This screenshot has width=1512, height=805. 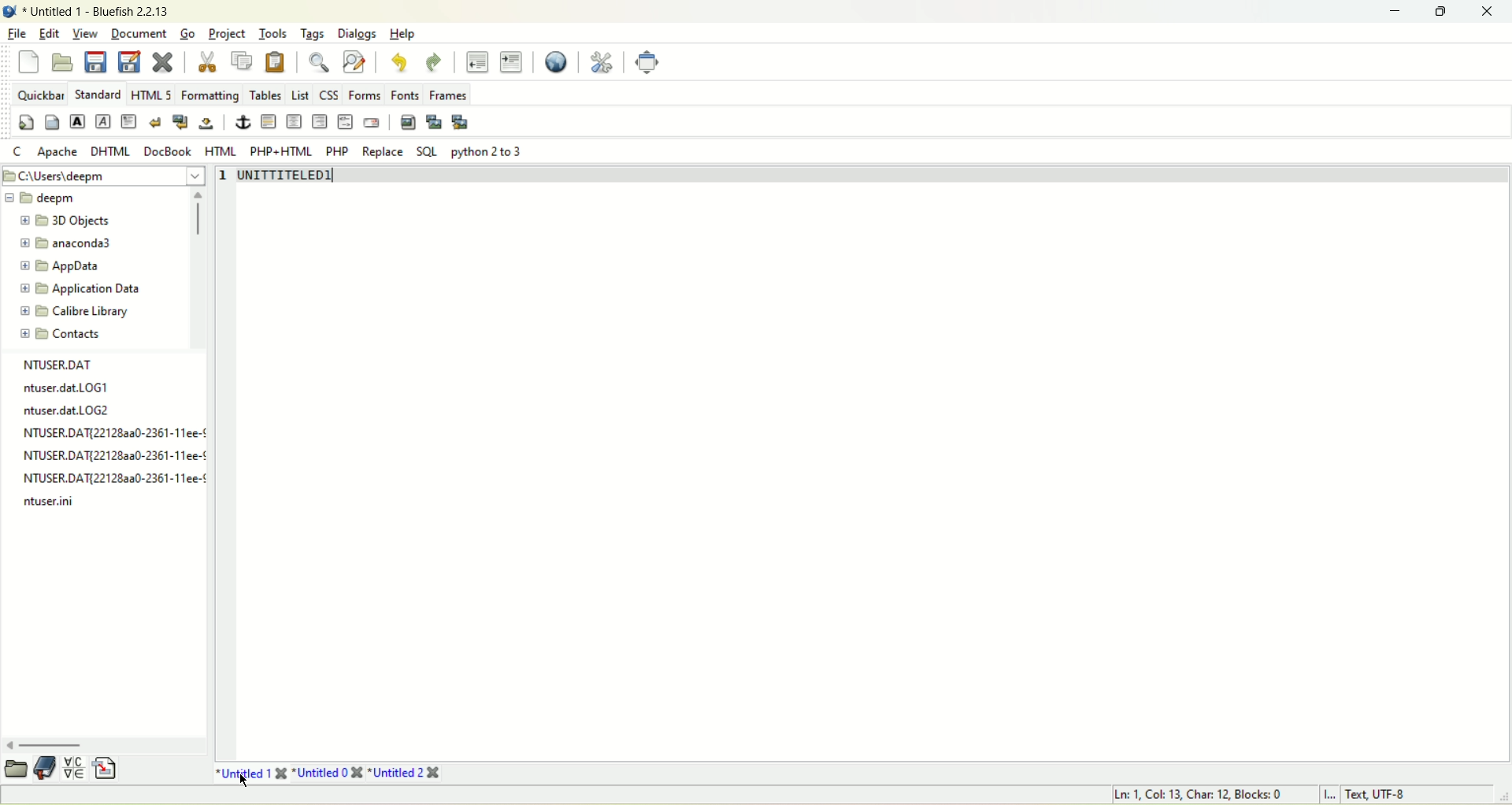 What do you see at coordinates (209, 63) in the screenshot?
I see `cut` at bounding box center [209, 63].